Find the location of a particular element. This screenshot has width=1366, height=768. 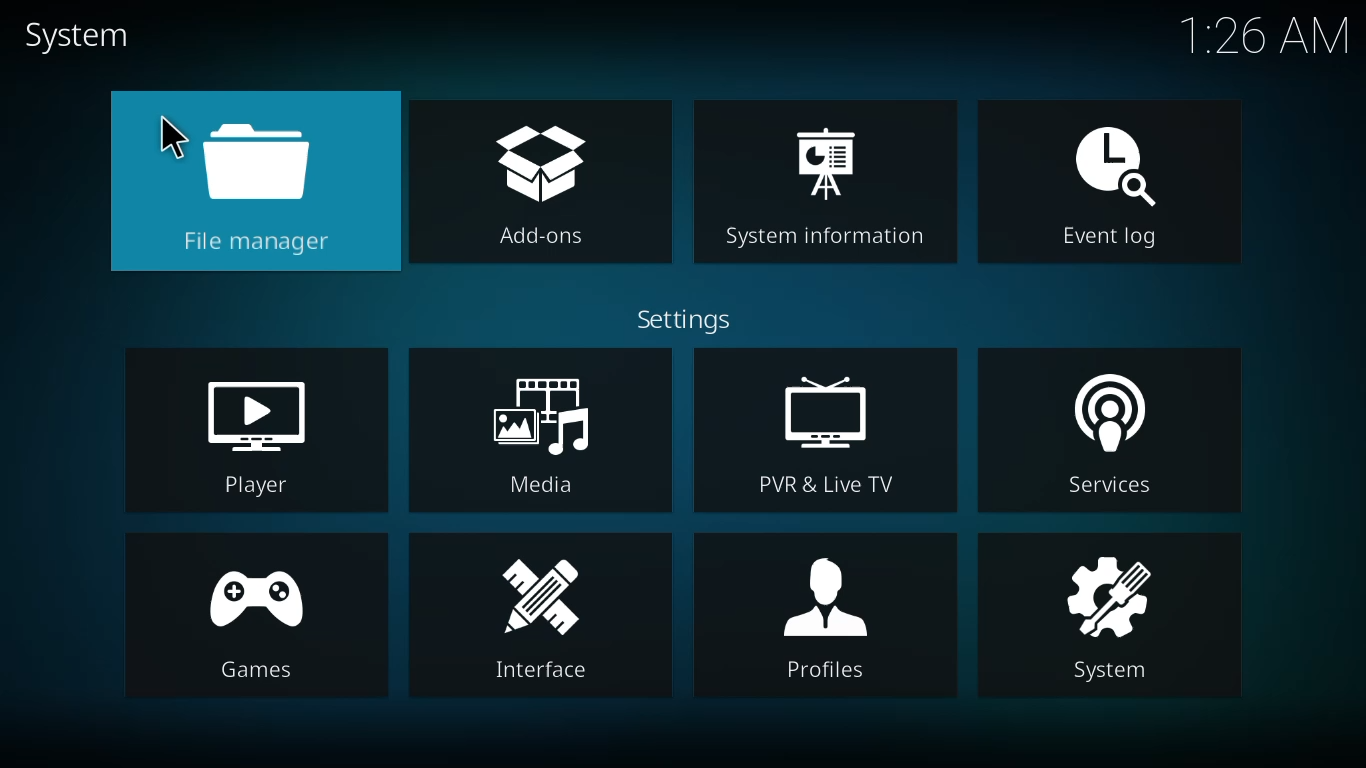

games is located at coordinates (258, 621).